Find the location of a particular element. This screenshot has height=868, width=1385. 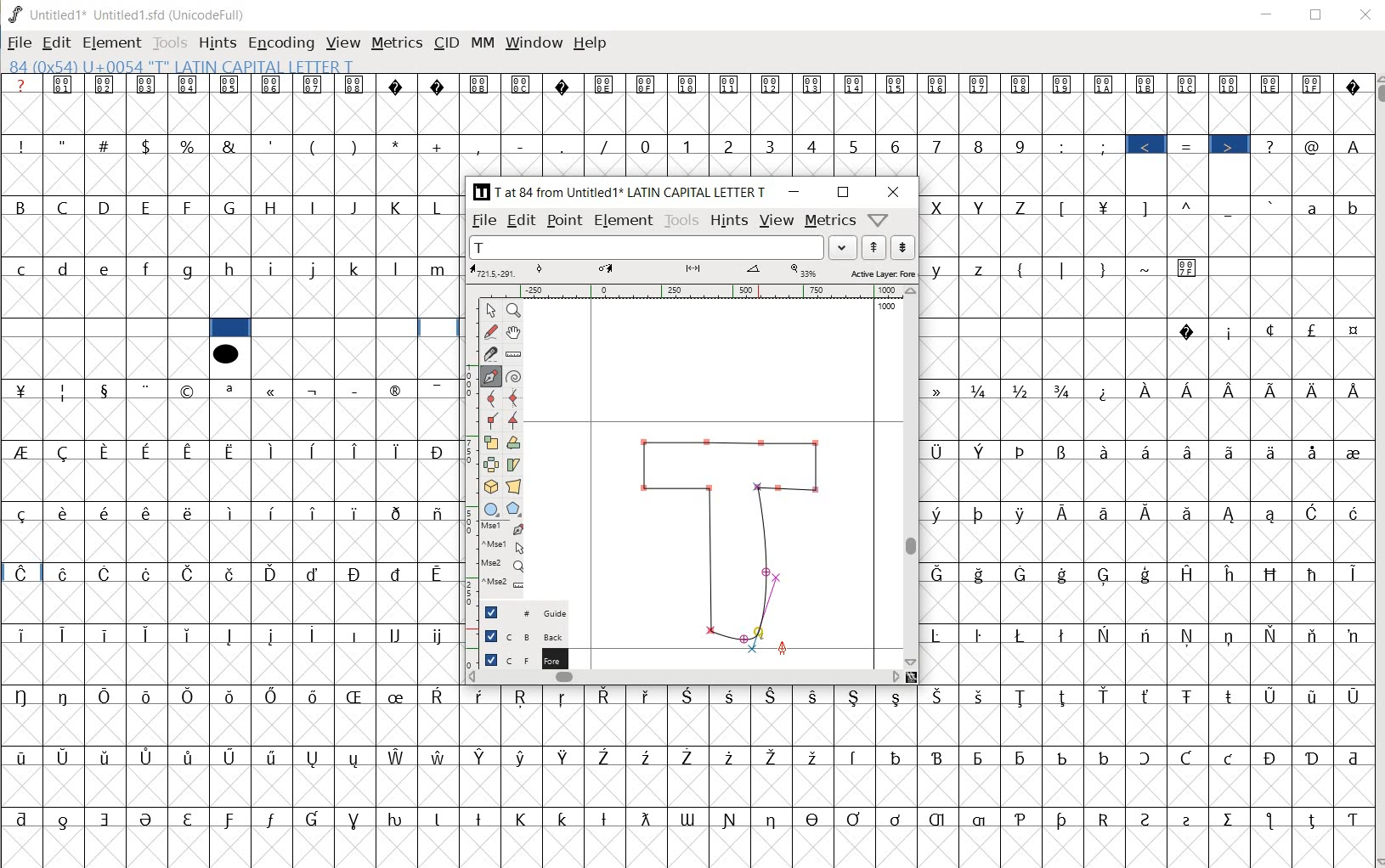

Symbol is located at coordinates (1148, 818).